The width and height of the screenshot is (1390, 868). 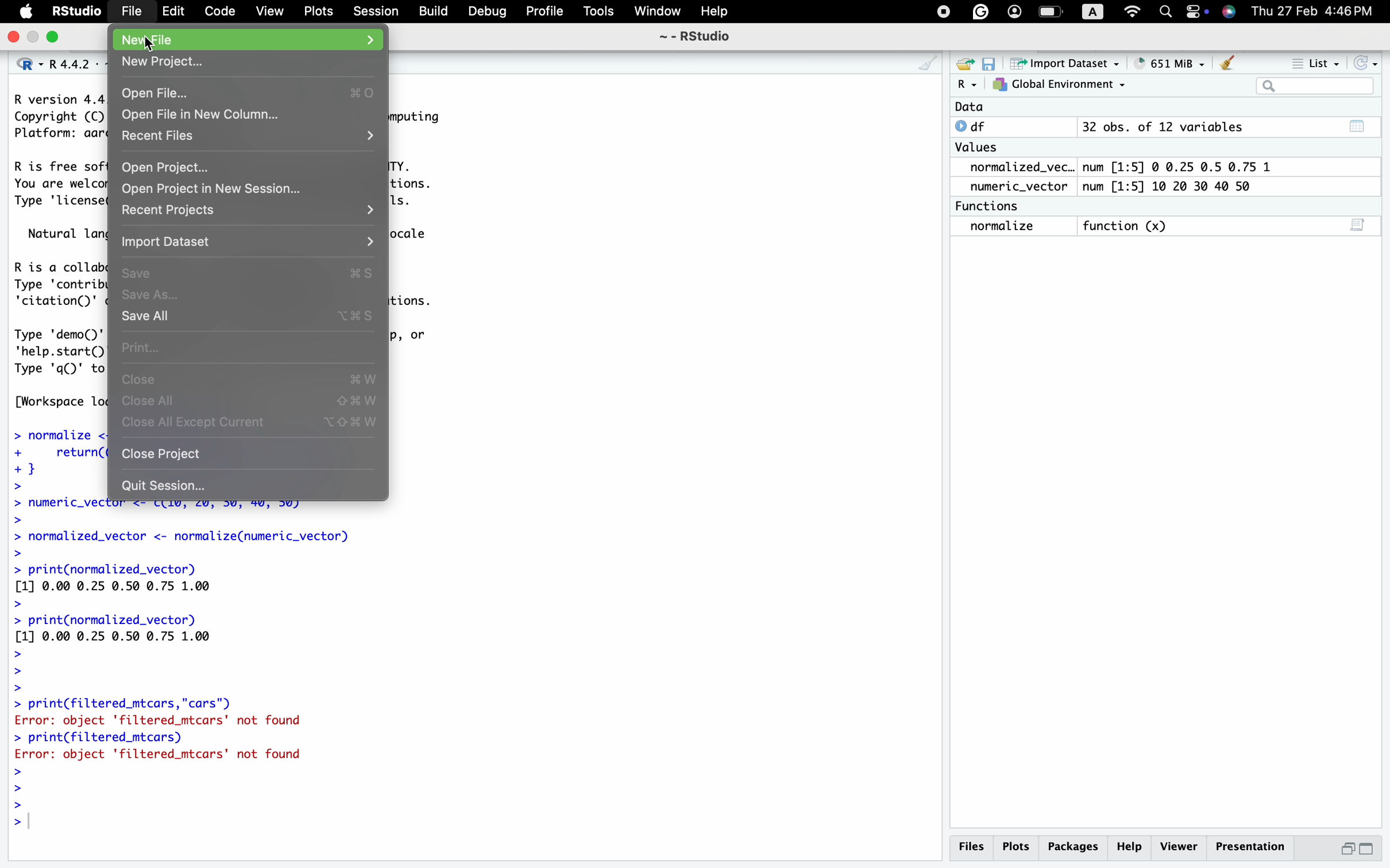 What do you see at coordinates (213, 10) in the screenshot?
I see `Code` at bounding box center [213, 10].